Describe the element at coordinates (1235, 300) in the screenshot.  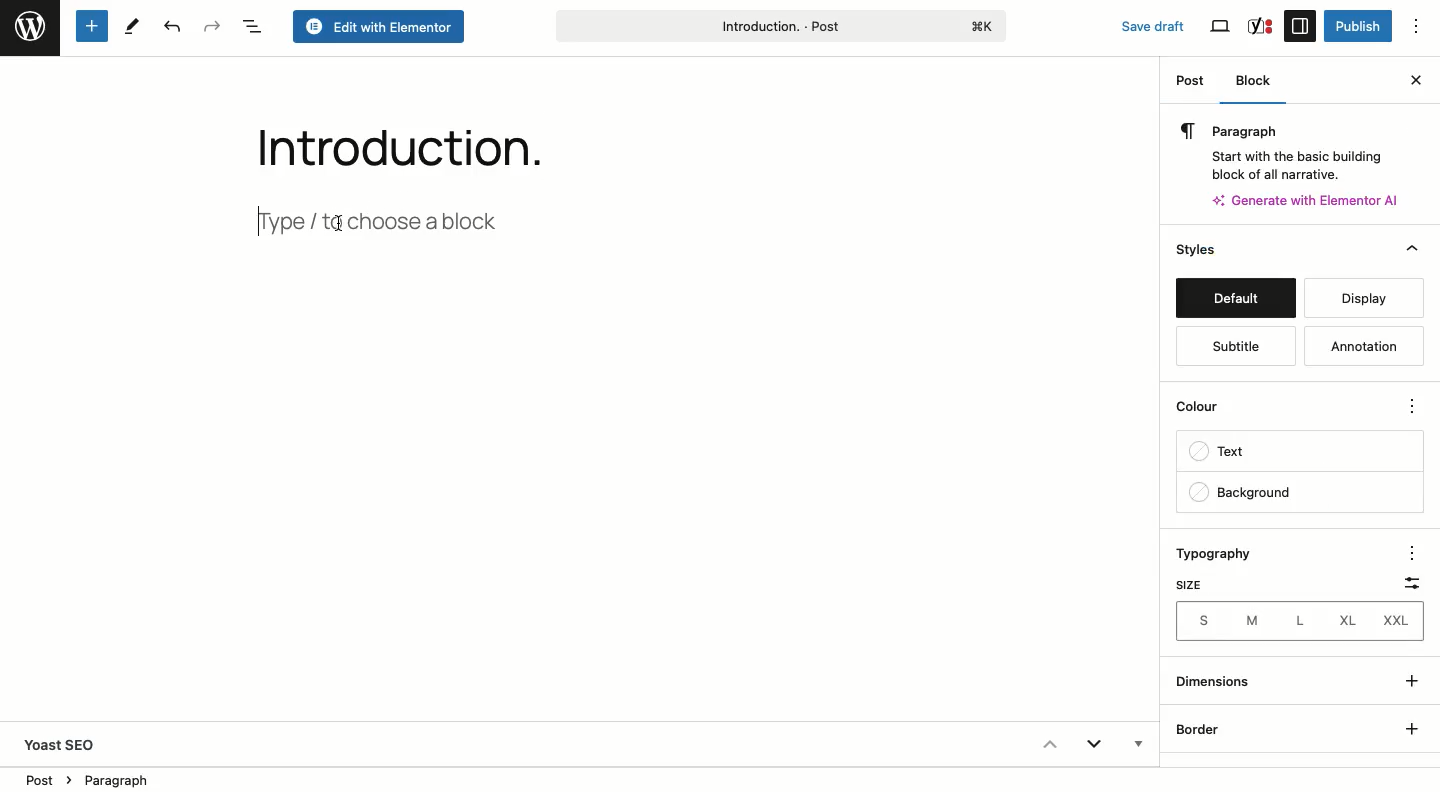
I see `Default` at that location.